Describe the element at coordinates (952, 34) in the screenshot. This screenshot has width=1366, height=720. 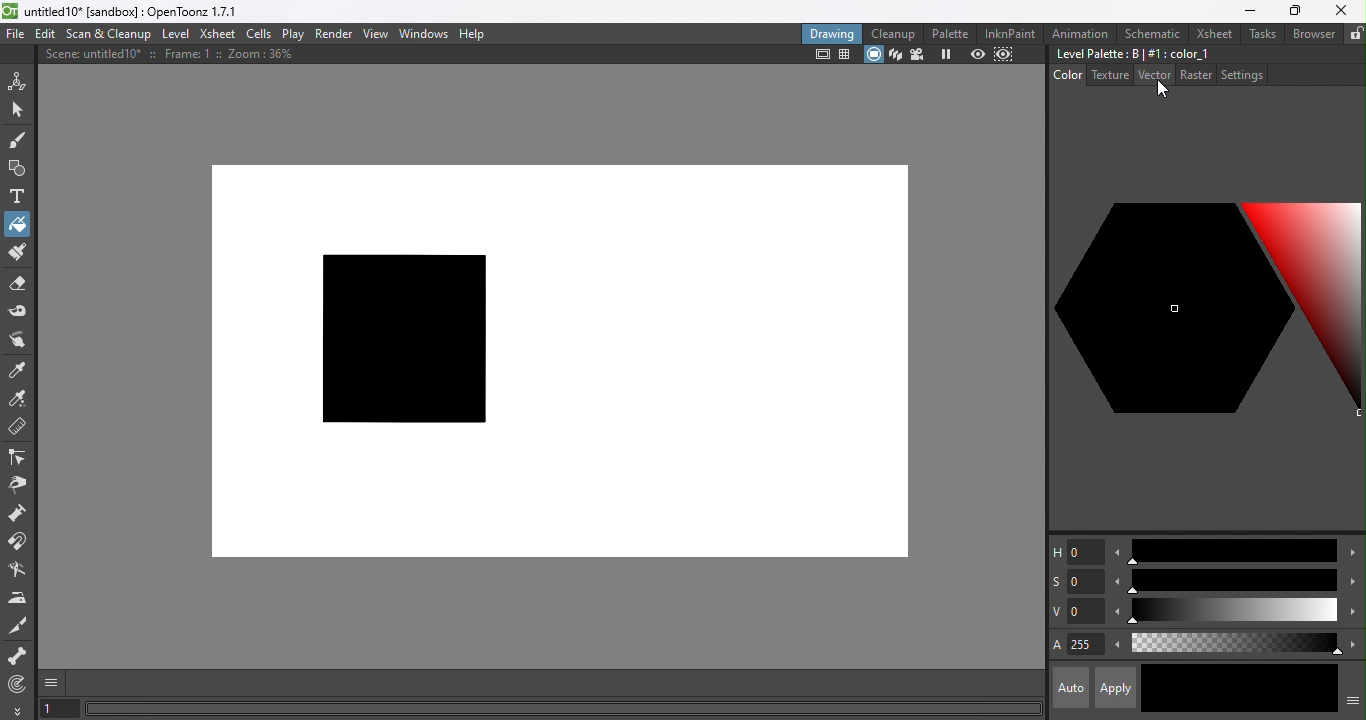
I see `Palette` at that location.